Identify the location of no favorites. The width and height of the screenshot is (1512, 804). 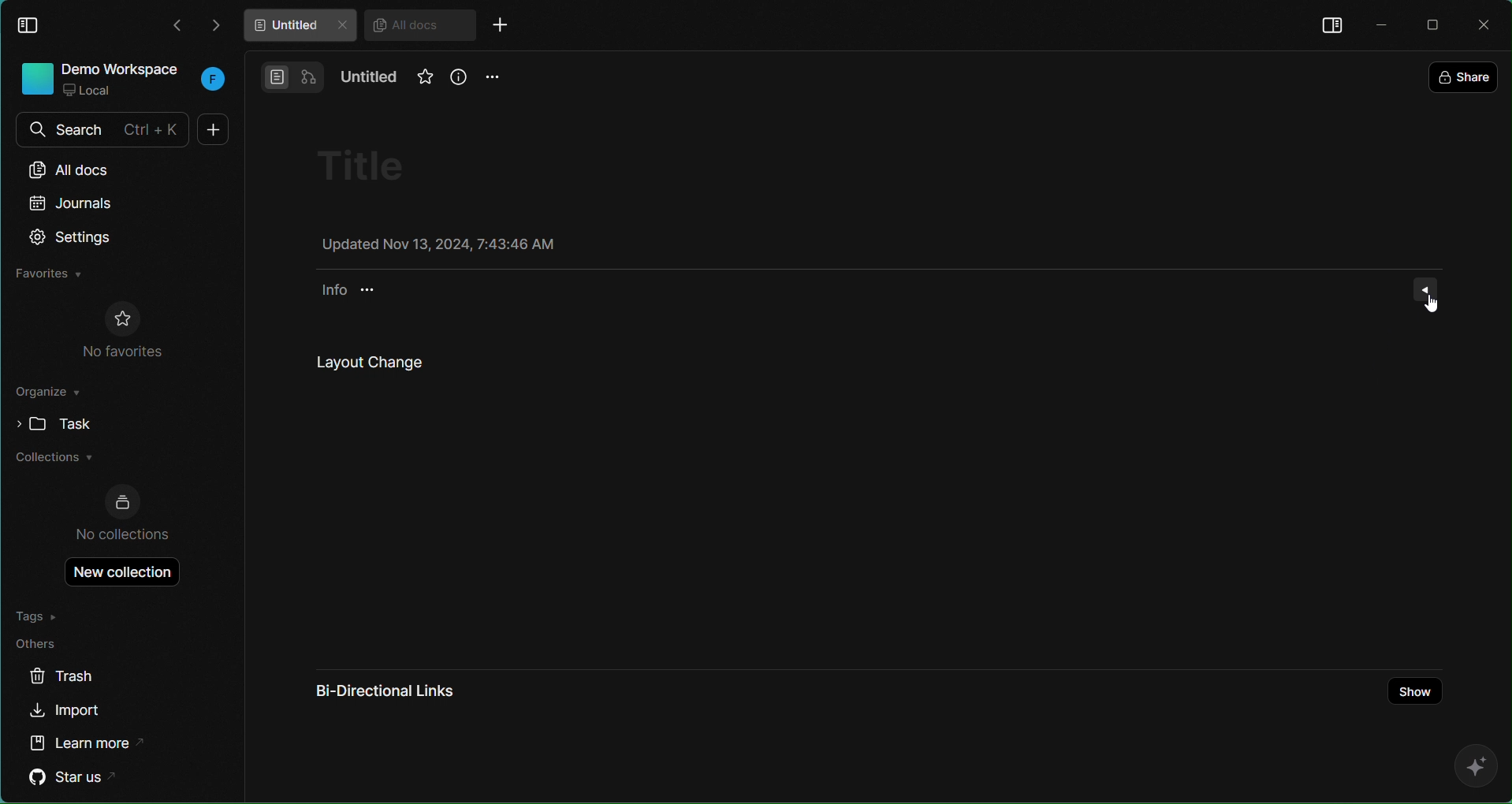
(123, 331).